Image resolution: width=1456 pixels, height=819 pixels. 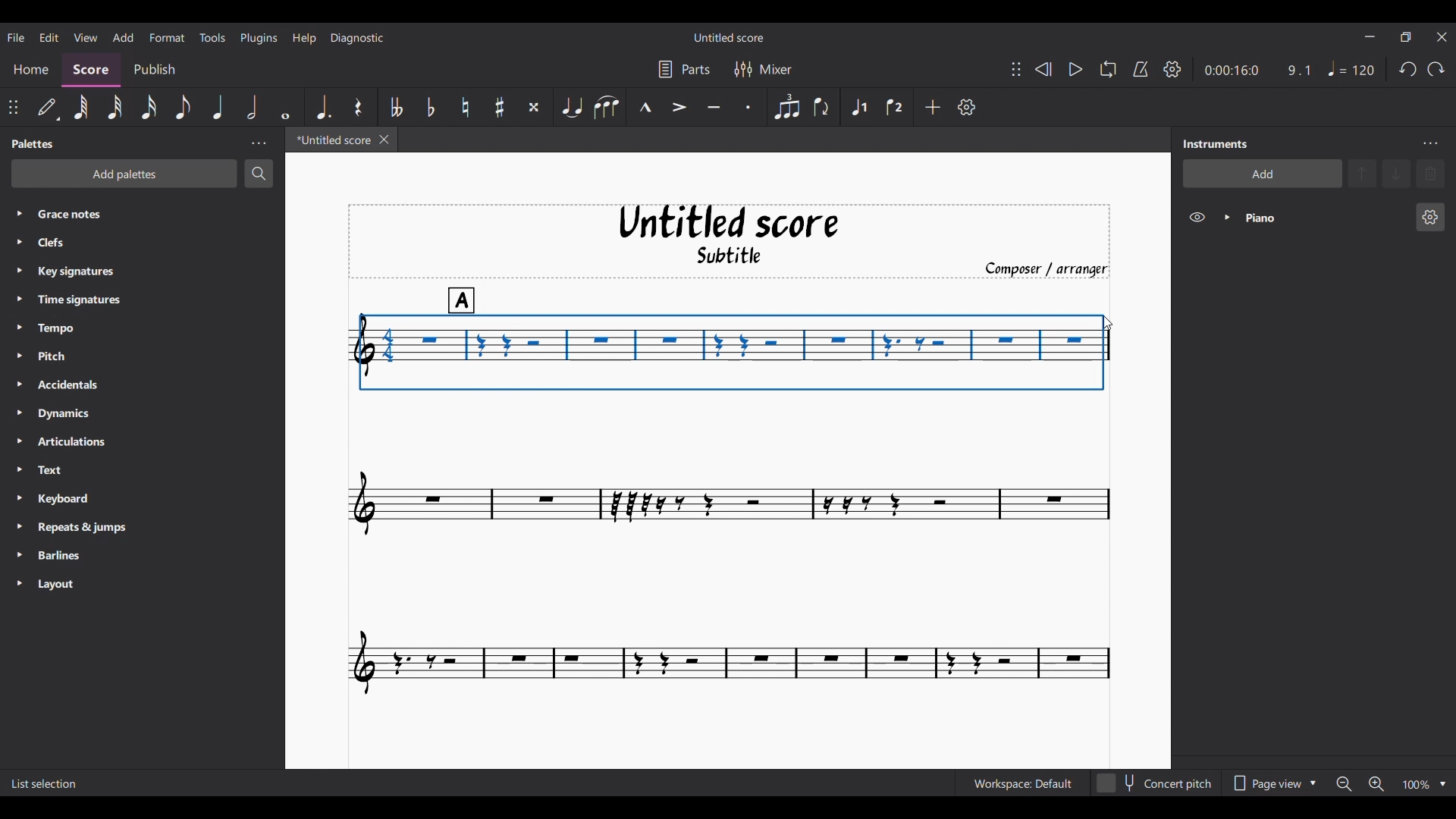 What do you see at coordinates (259, 143) in the screenshot?
I see `Panel settings` at bounding box center [259, 143].